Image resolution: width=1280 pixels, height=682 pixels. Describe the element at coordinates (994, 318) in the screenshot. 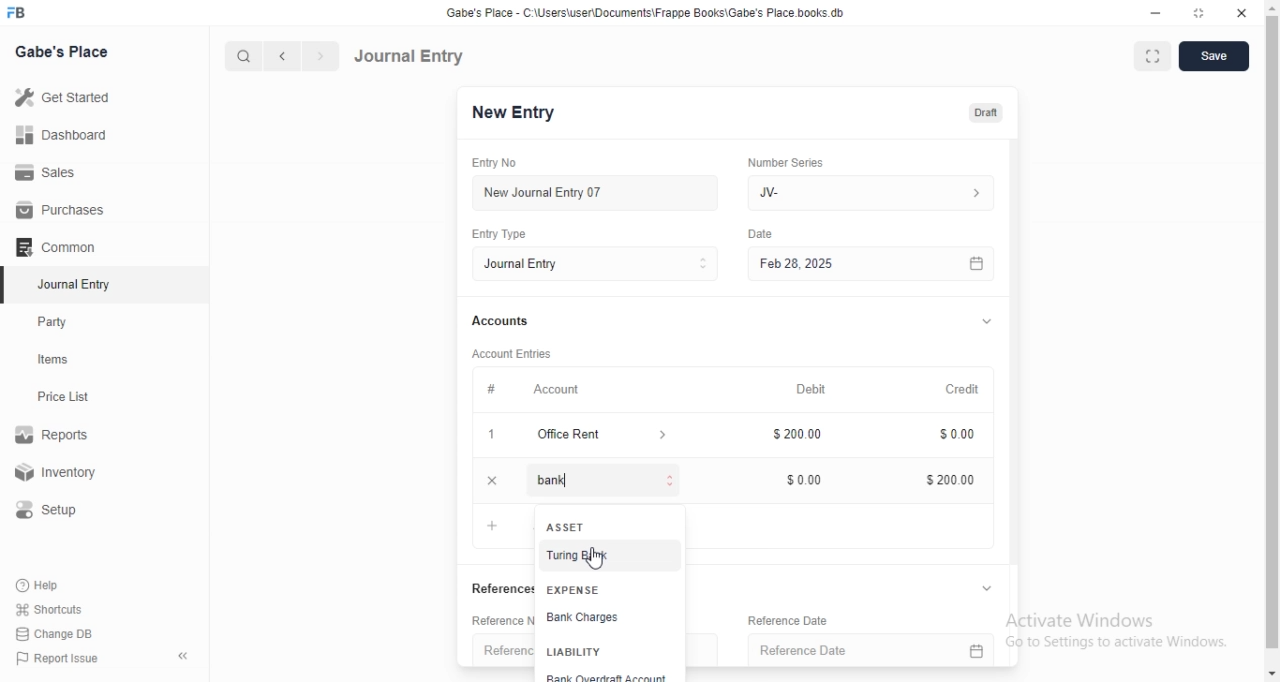

I see `v` at that location.